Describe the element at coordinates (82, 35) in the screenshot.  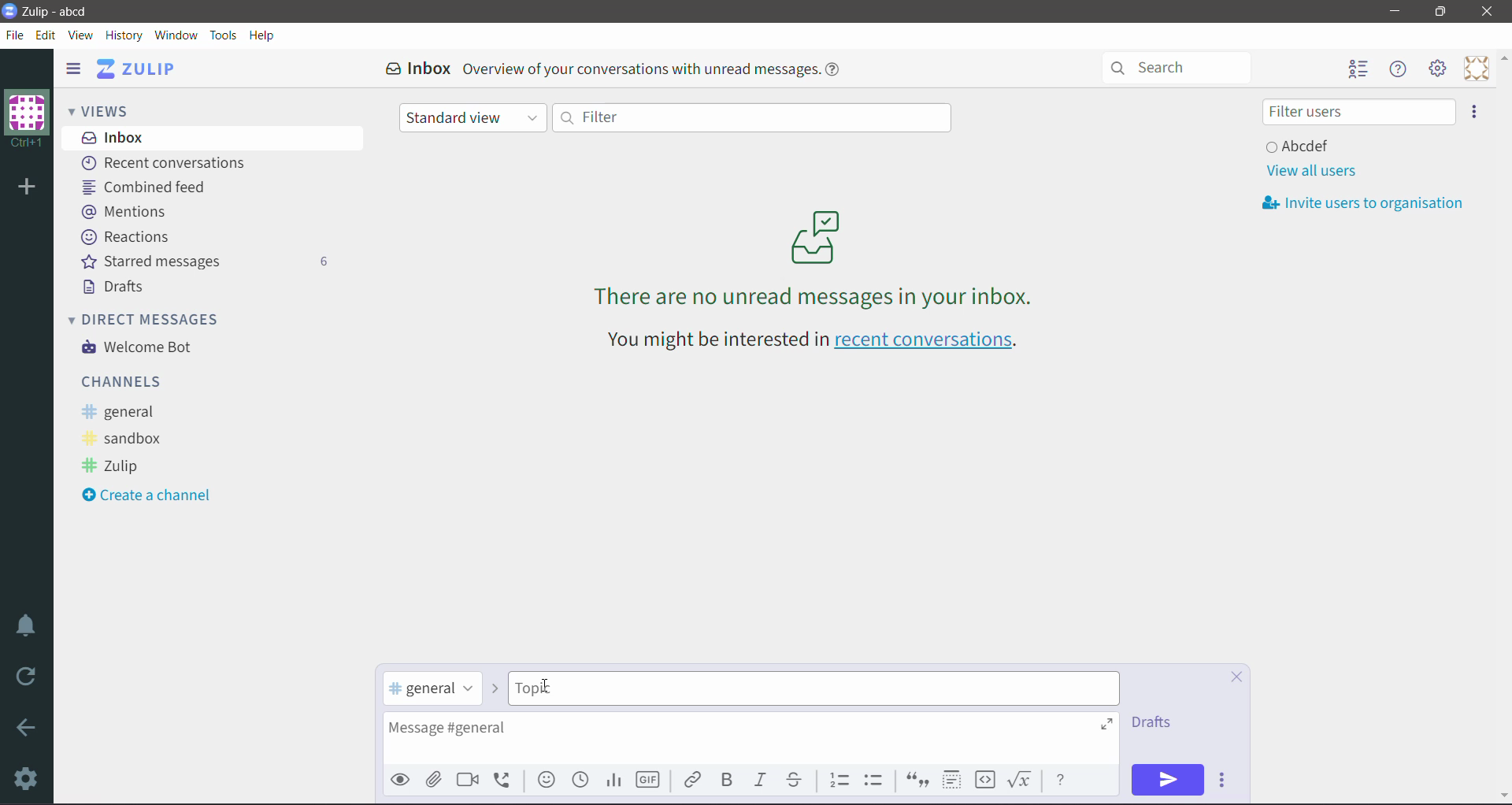
I see `View` at that location.